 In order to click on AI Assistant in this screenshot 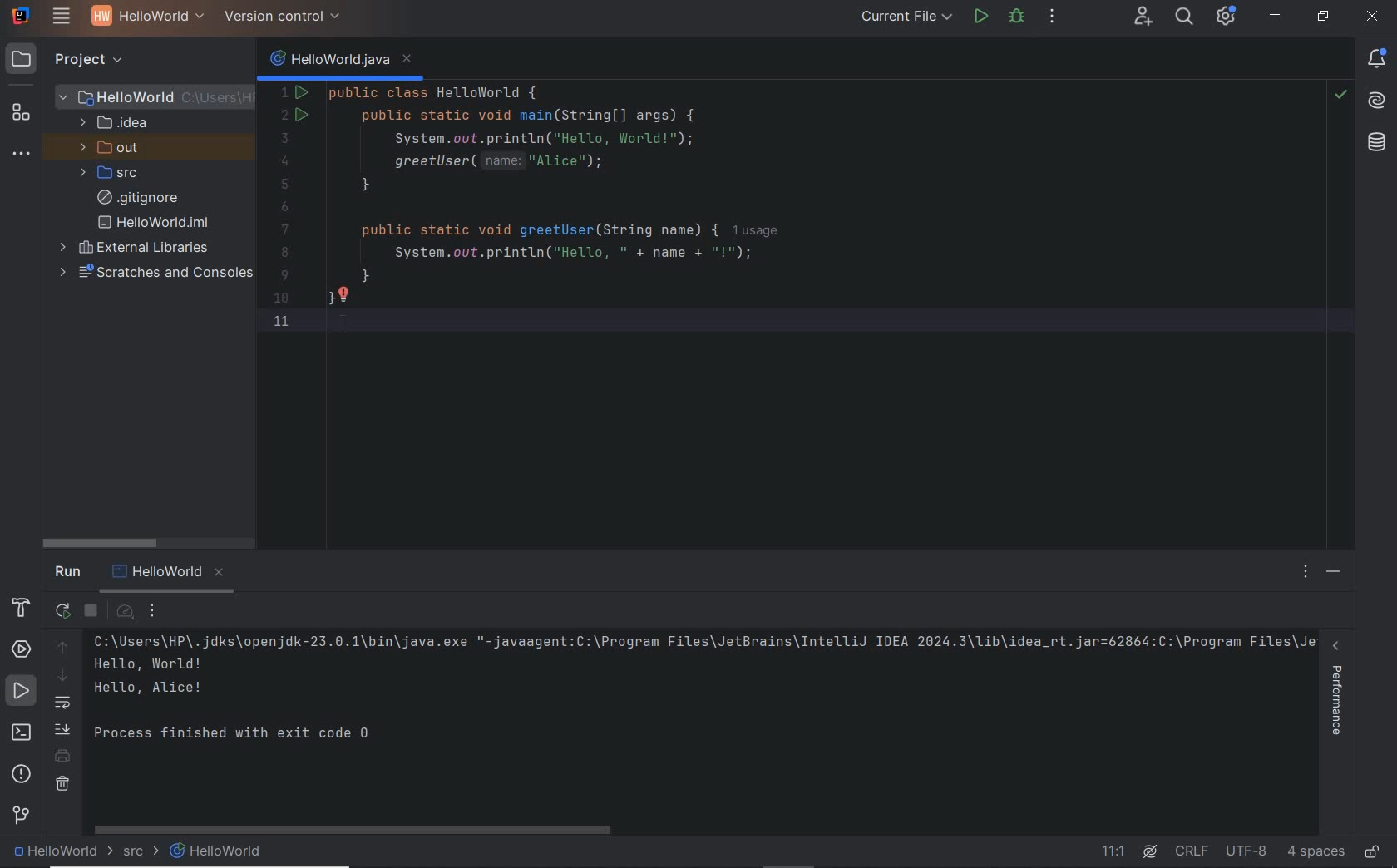, I will do `click(1379, 96)`.